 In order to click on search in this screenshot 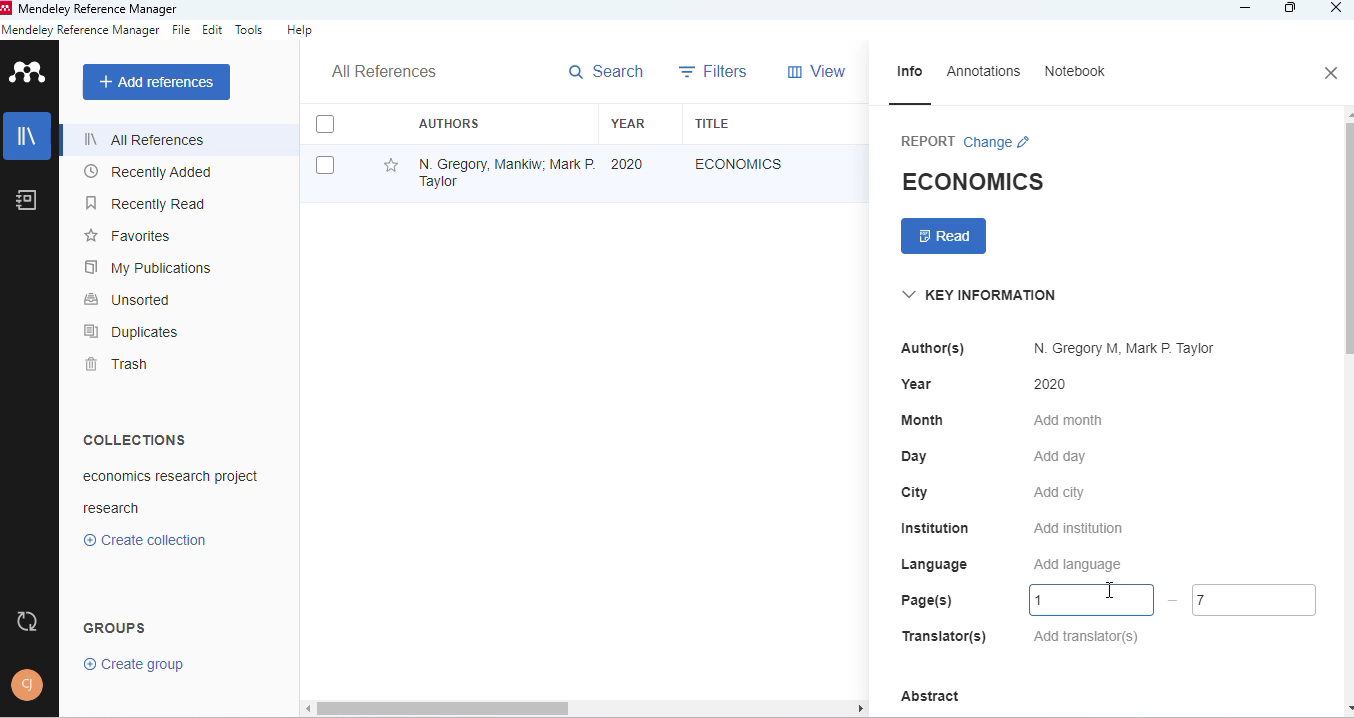, I will do `click(607, 72)`.